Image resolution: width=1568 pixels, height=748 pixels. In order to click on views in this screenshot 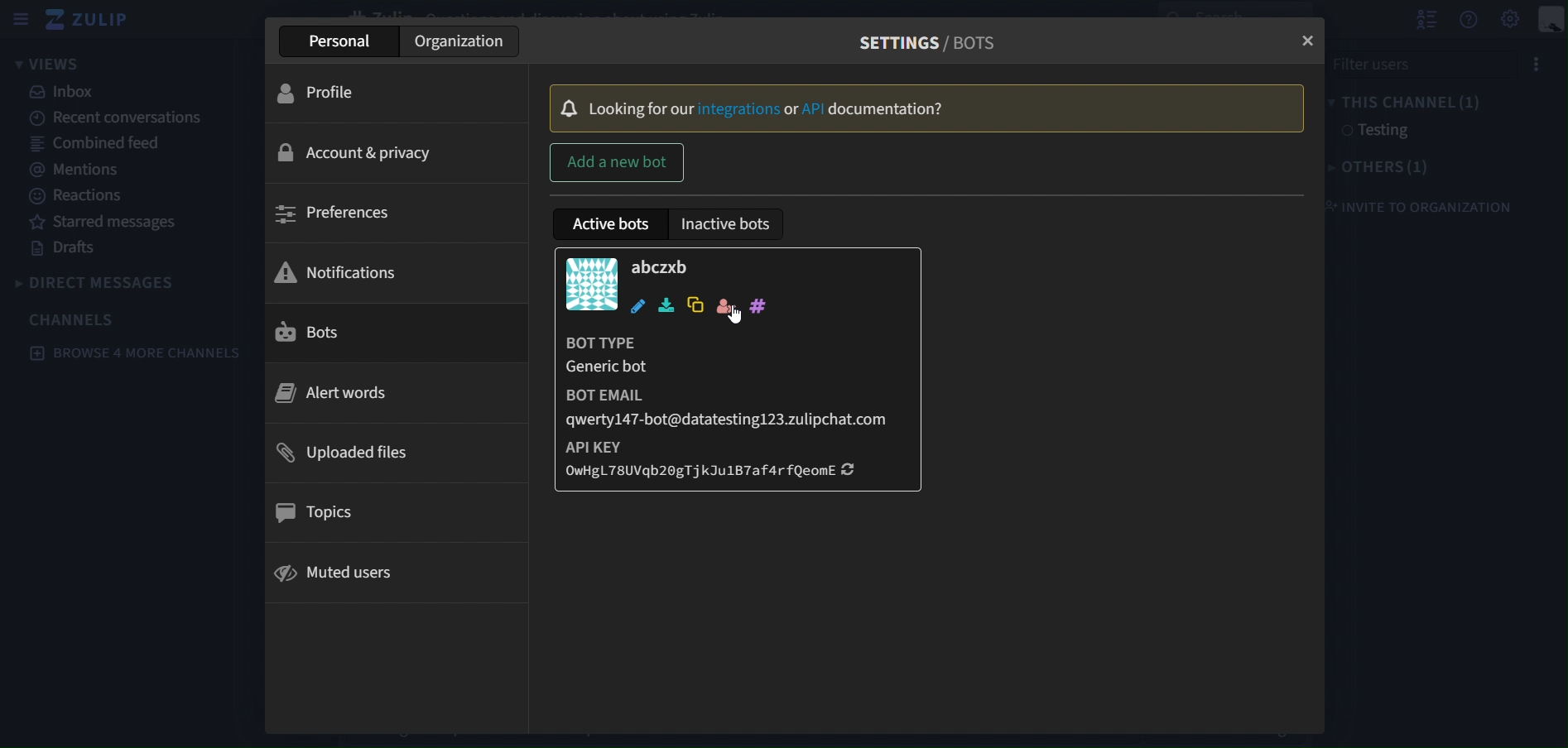, I will do `click(62, 63)`.